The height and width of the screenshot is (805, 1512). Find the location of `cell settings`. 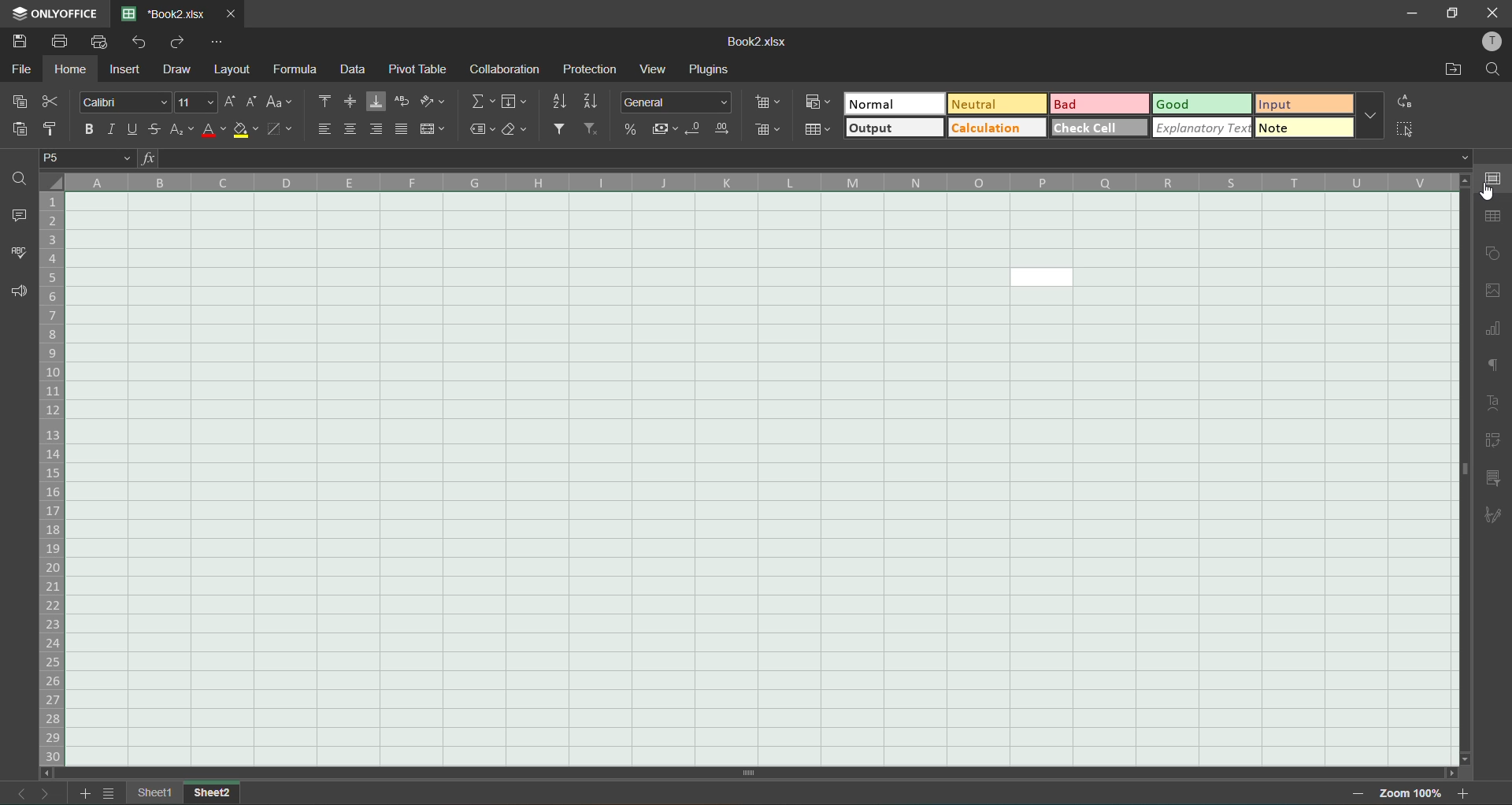

cell settings is located at coordinates (1494, 182).